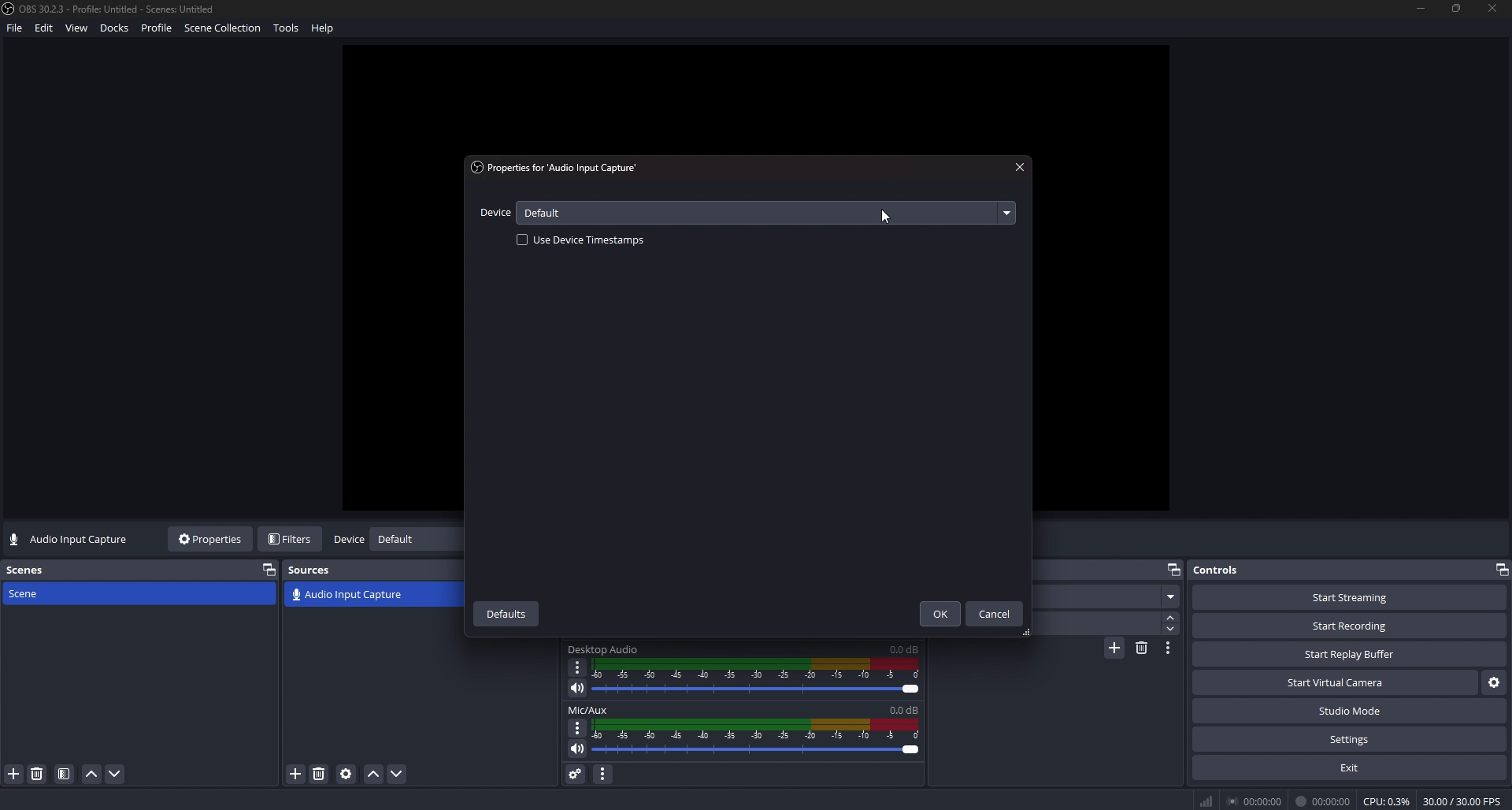 This screenshot has width=1512, height=810. I want to click on I it, so click(1325, 801).